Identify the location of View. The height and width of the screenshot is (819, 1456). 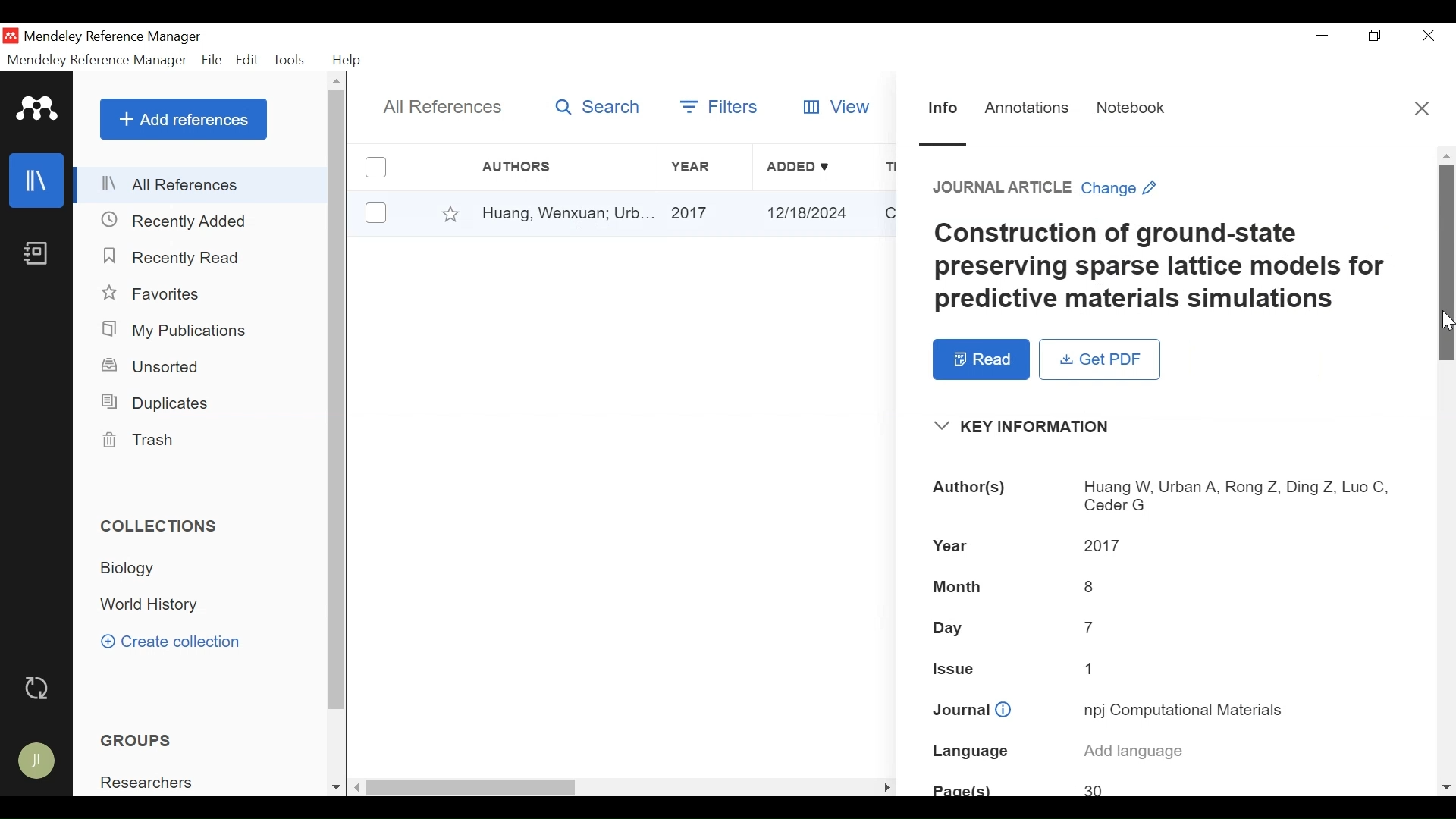
(839, 105).